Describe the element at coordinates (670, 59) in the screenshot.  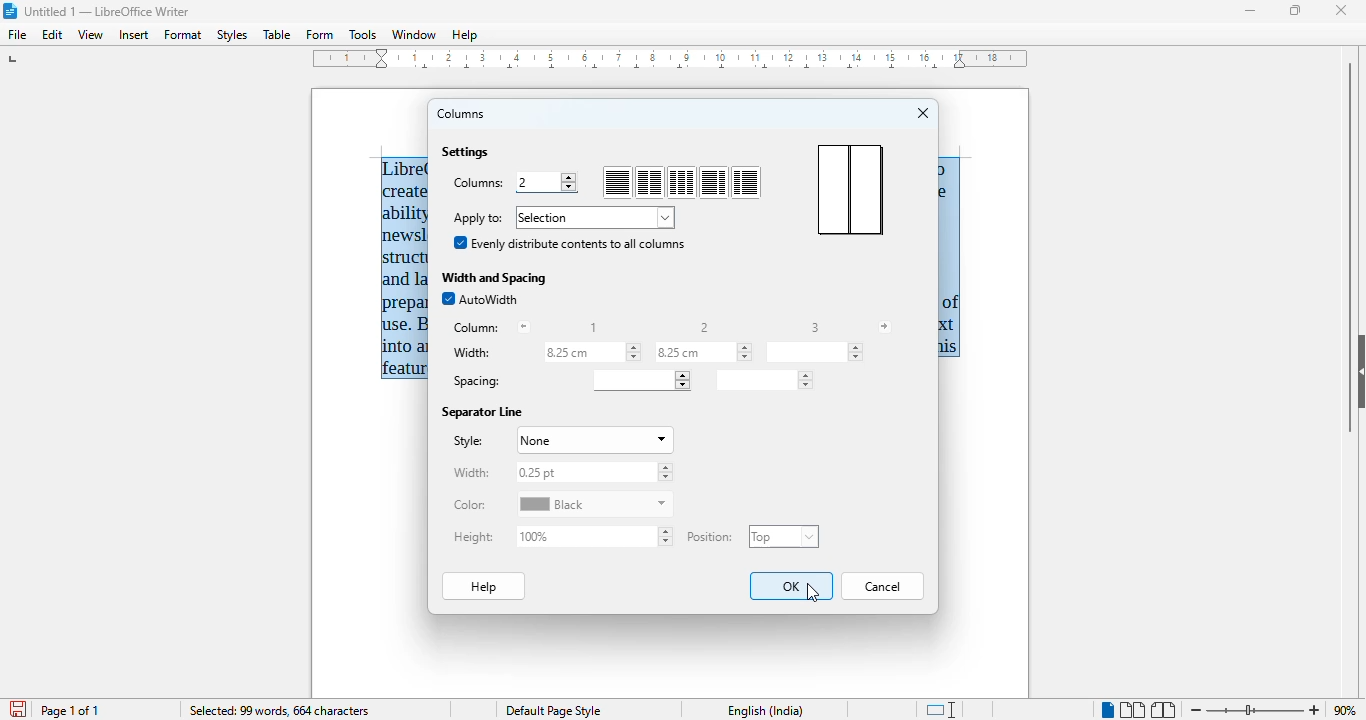
I see `ruler` at that location.